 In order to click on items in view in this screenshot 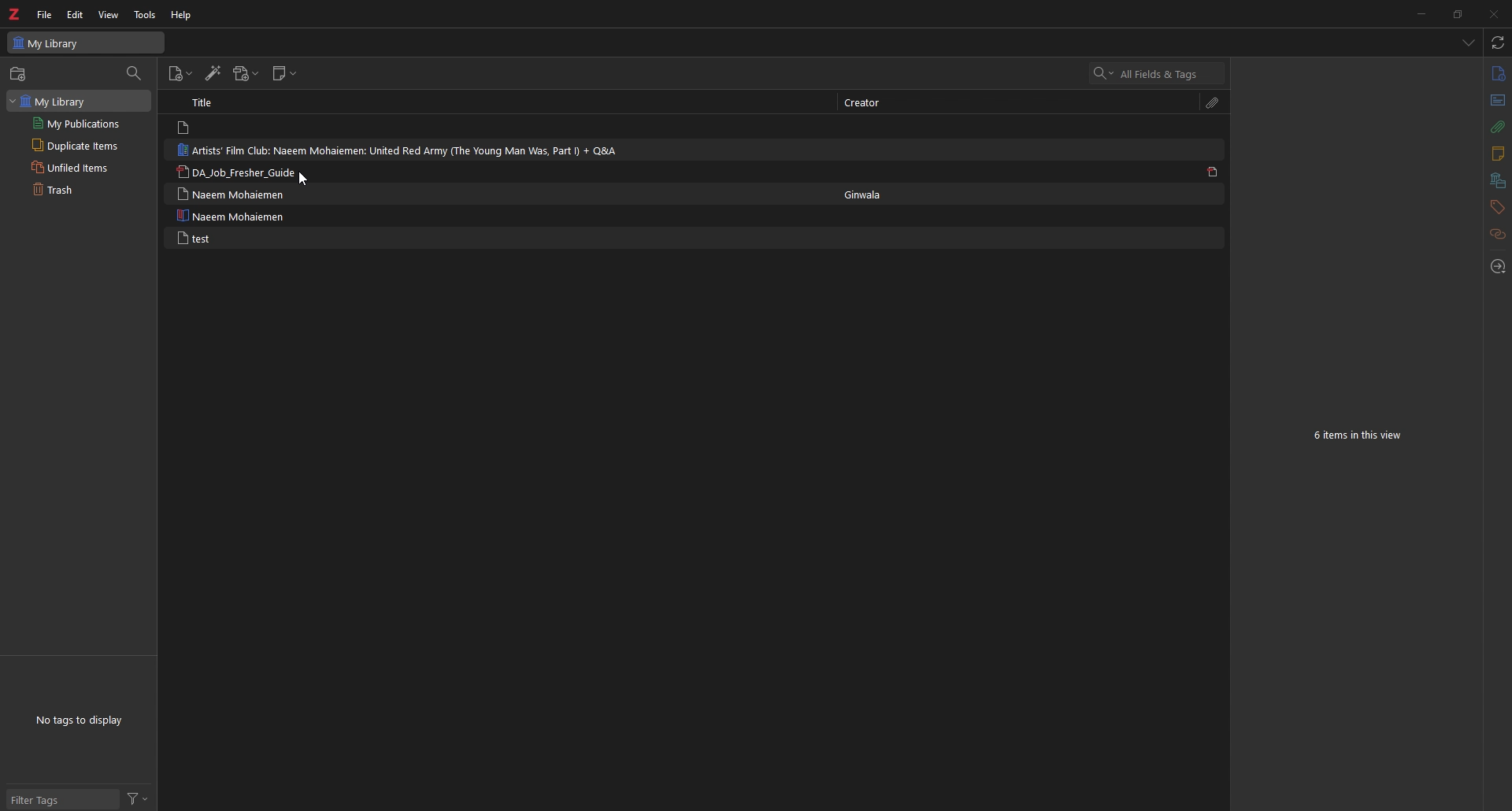, I will do `click(1359, 438)`.